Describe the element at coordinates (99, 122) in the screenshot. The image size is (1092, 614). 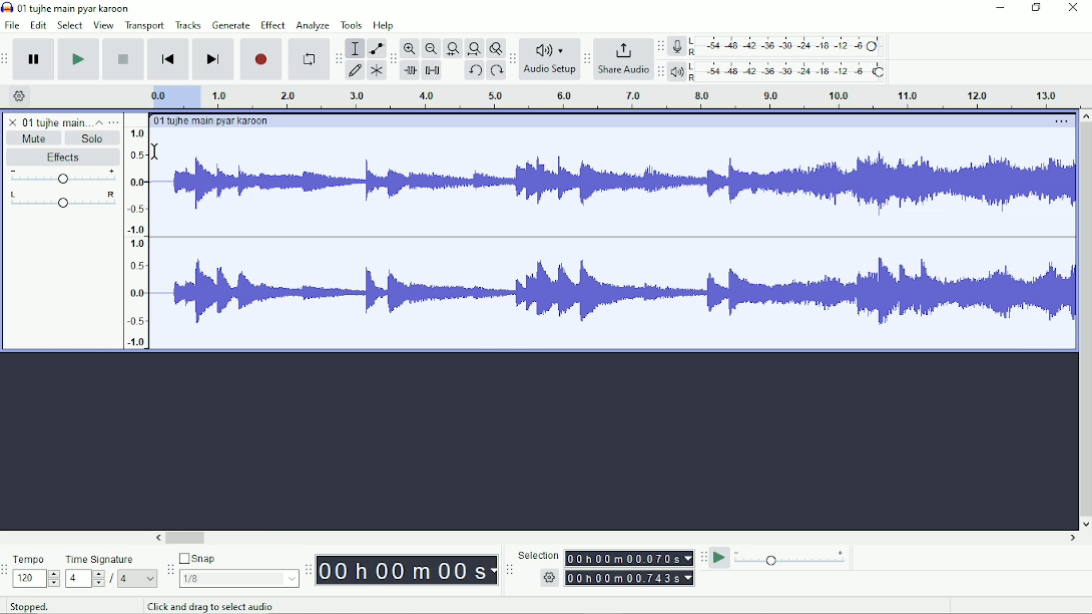
I see `Collapse` at that location.